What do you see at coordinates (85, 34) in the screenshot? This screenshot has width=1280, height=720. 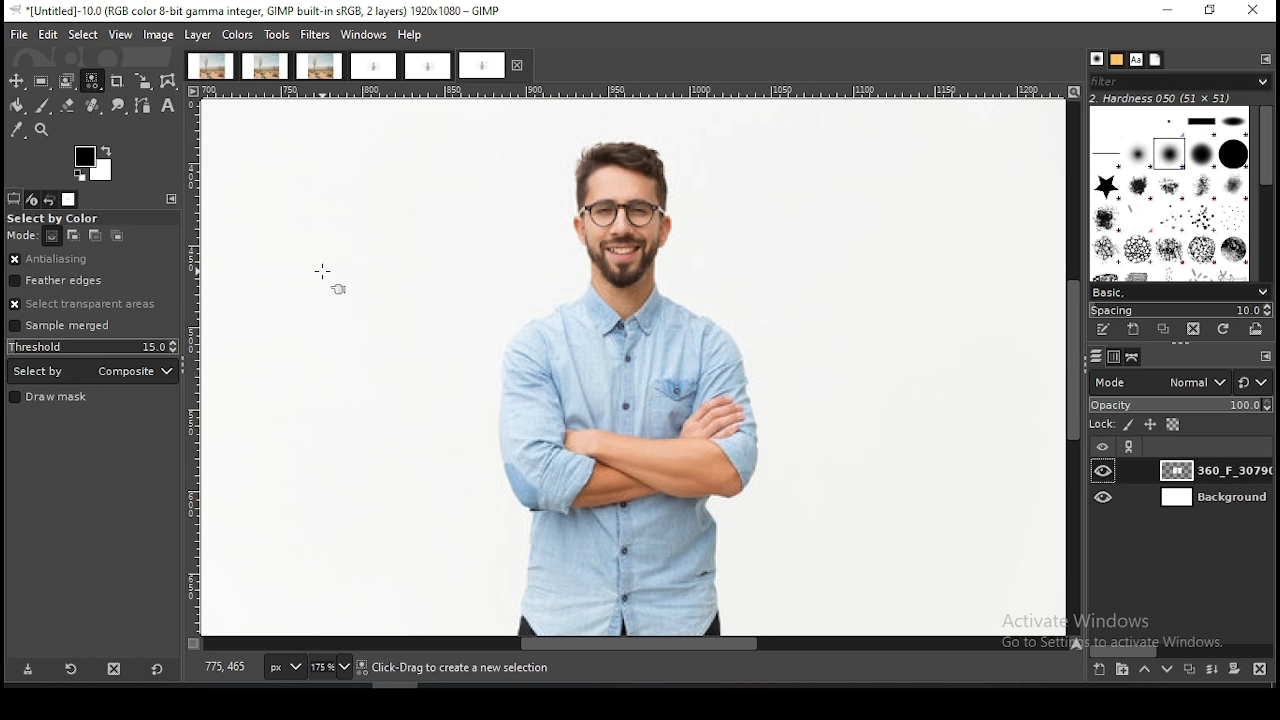 I see `select` at bounding box center [85, 34].